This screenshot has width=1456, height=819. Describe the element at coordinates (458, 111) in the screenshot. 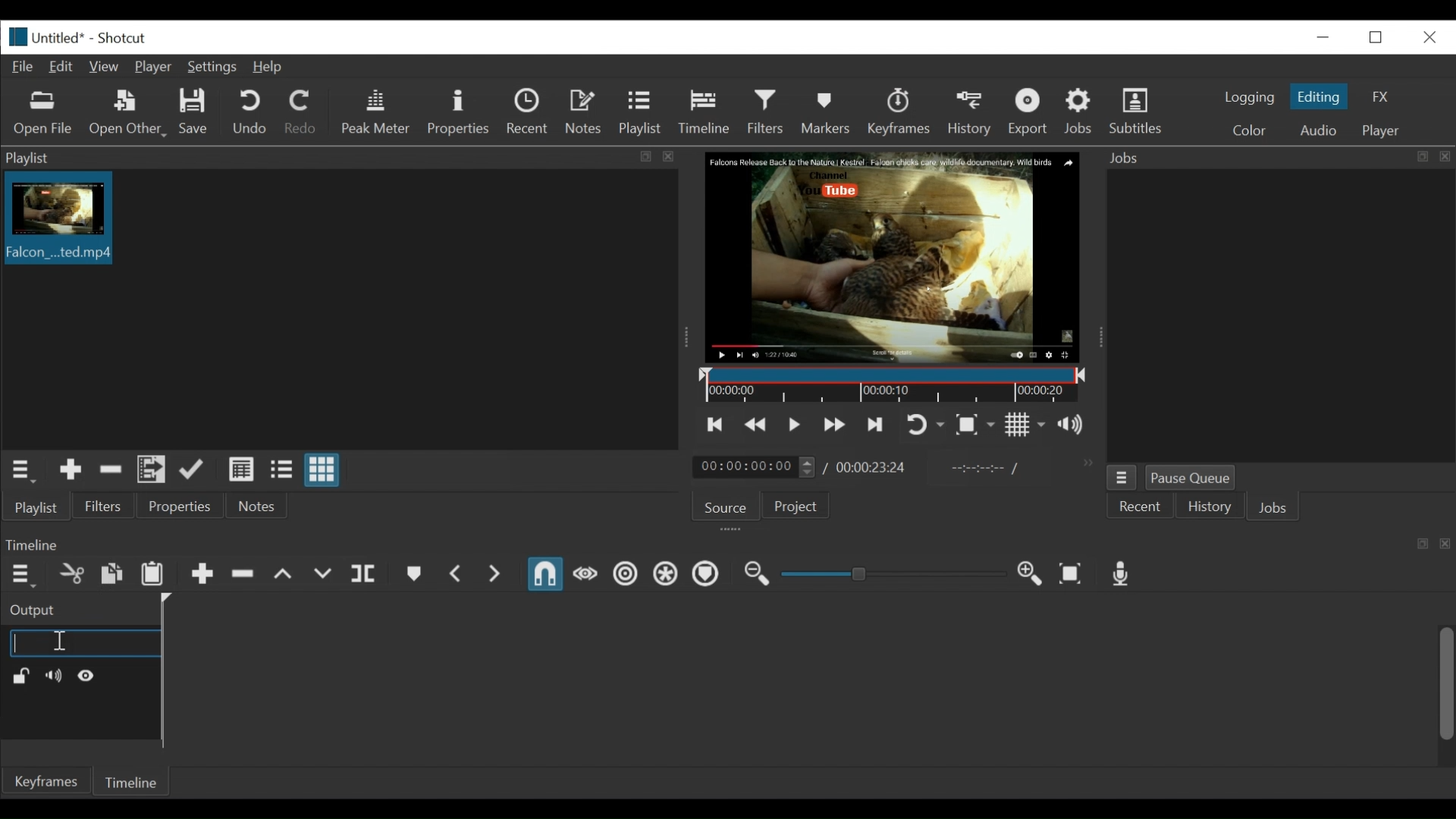

I see `Properties` at that location.